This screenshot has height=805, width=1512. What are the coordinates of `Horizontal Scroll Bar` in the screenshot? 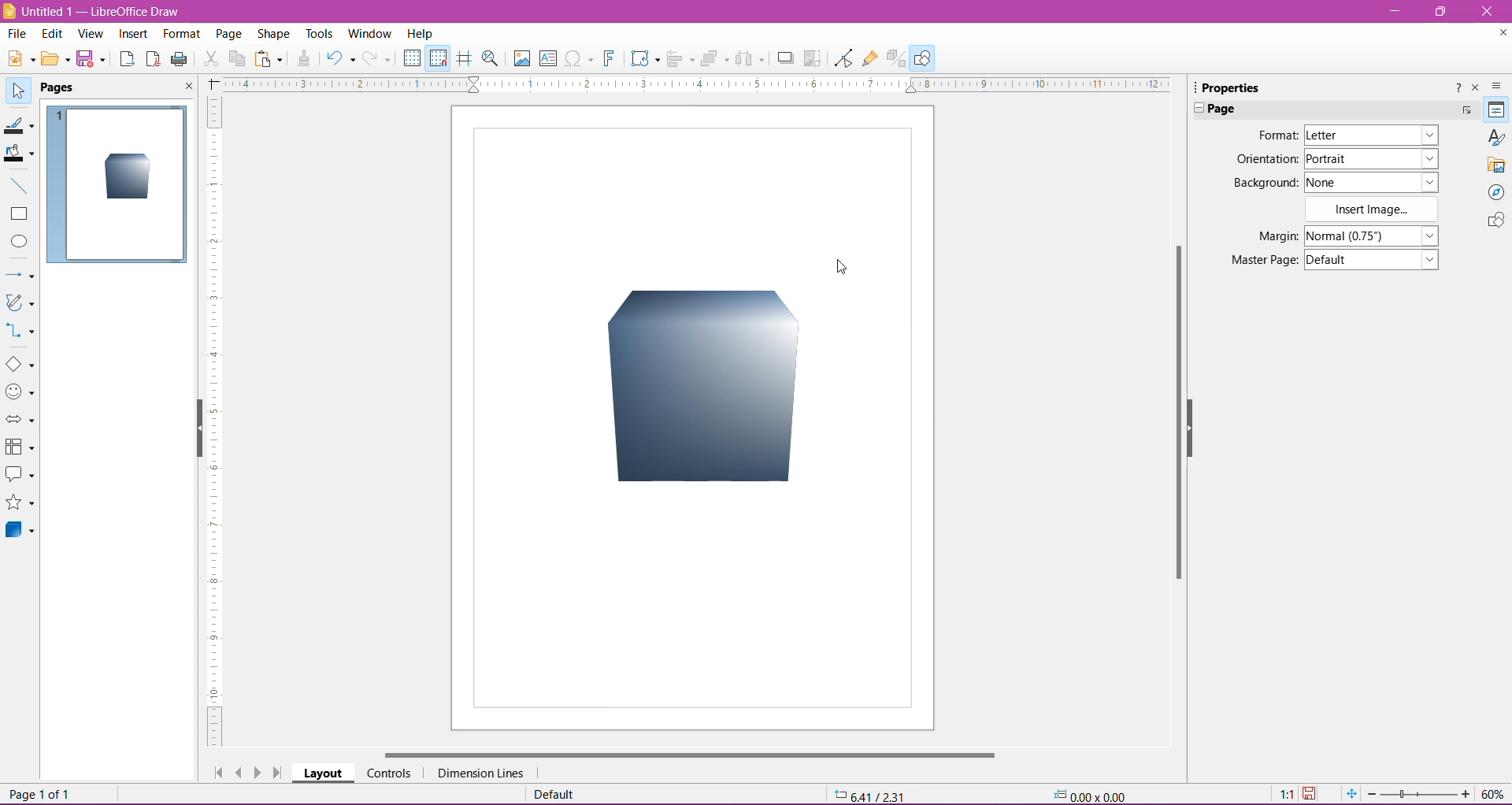 It's located at (687, 755).